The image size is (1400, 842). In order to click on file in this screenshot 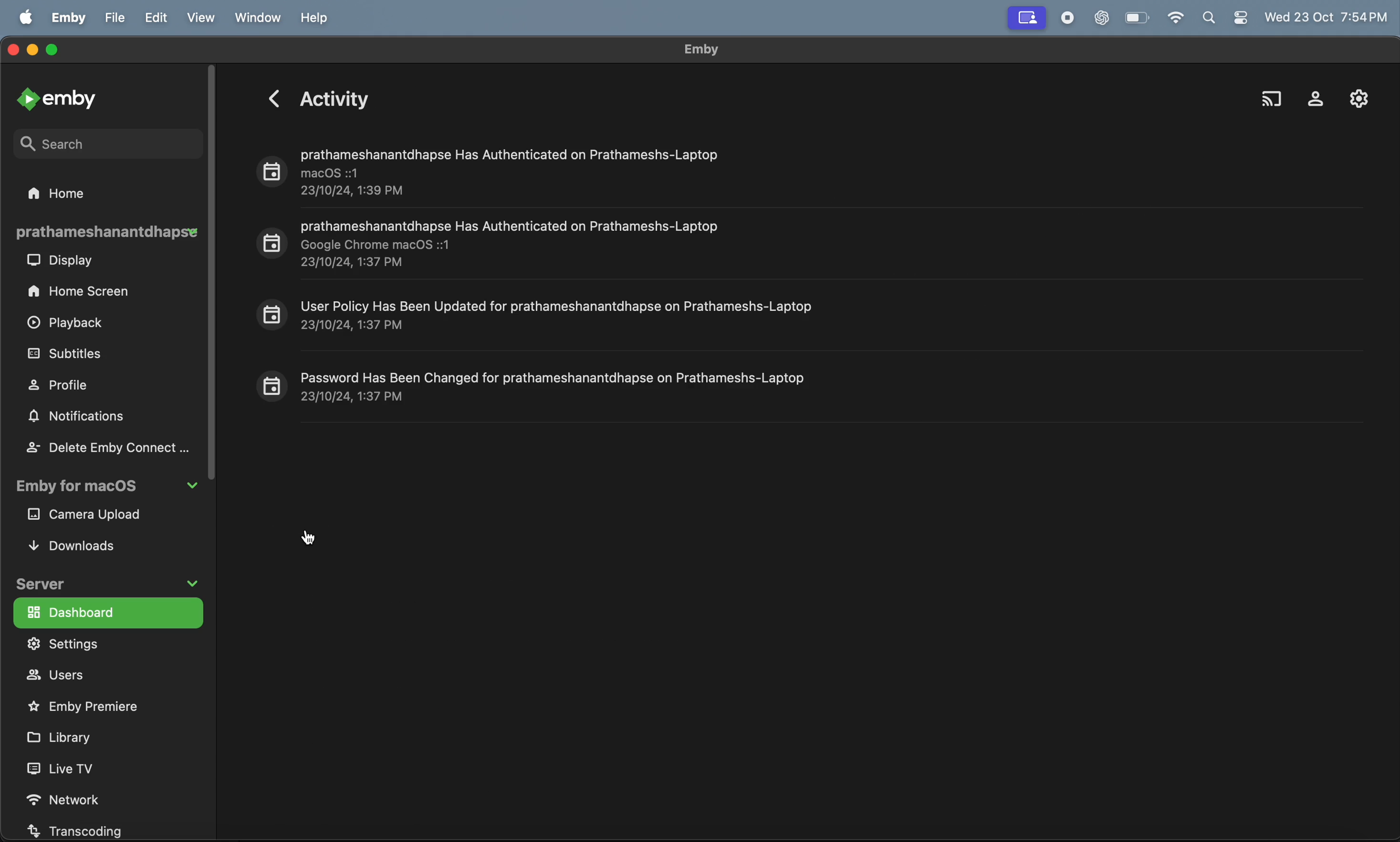, I will do `click(116, 18)`.